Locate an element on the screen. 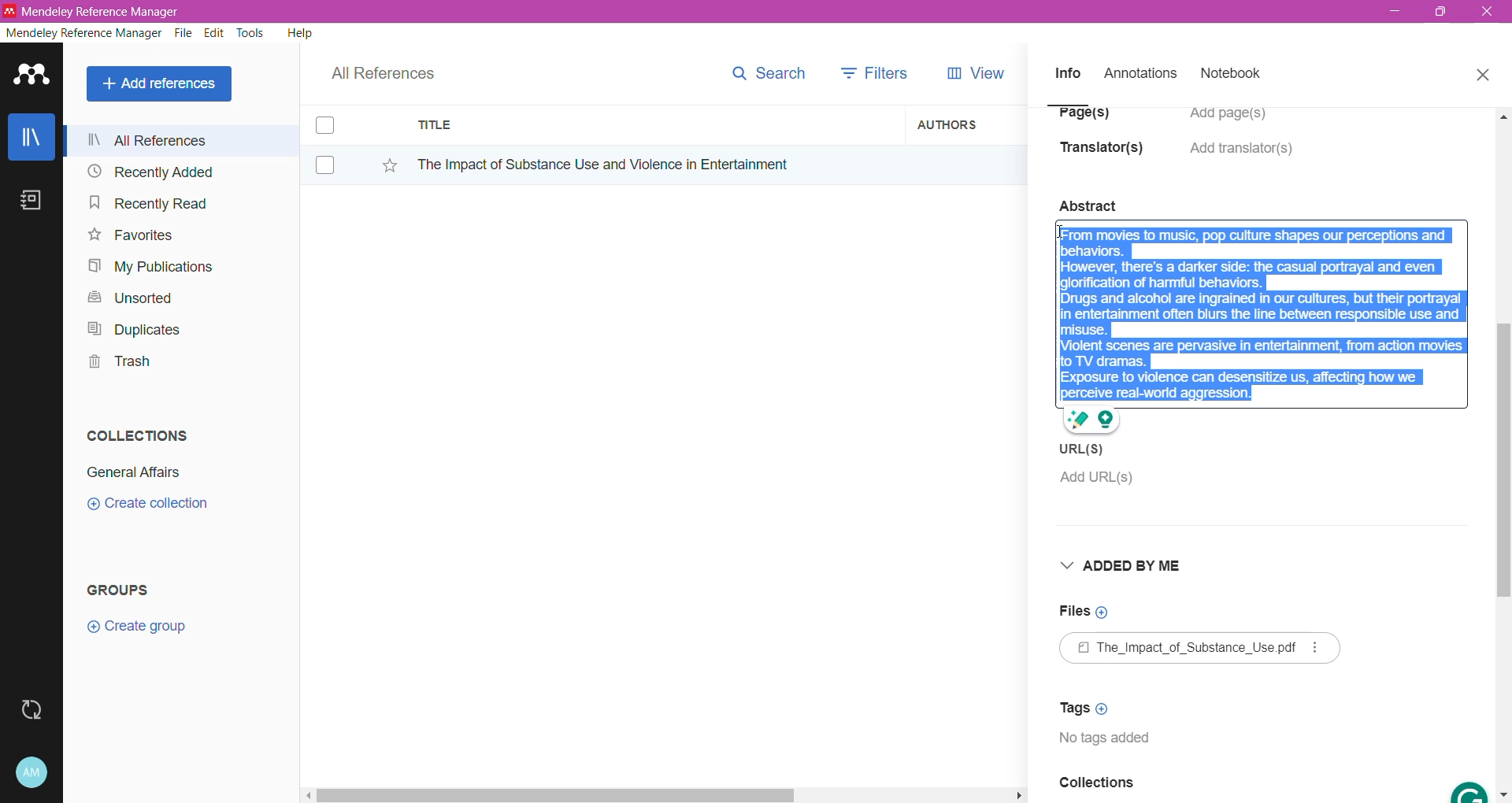  Library is located at coordinates (31, 139).